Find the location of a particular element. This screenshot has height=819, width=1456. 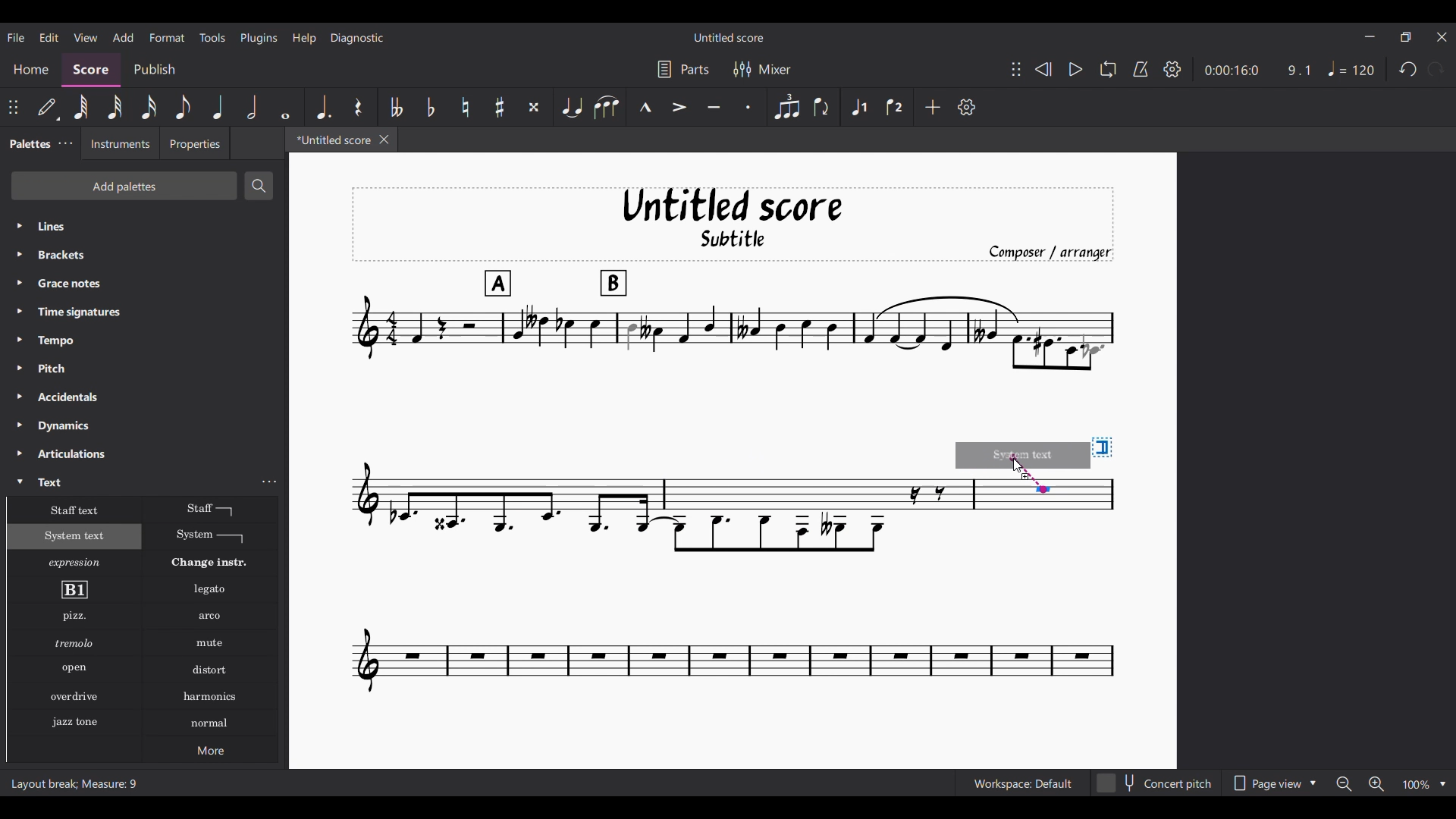

Tremolo is located at coordinates (74, 642).